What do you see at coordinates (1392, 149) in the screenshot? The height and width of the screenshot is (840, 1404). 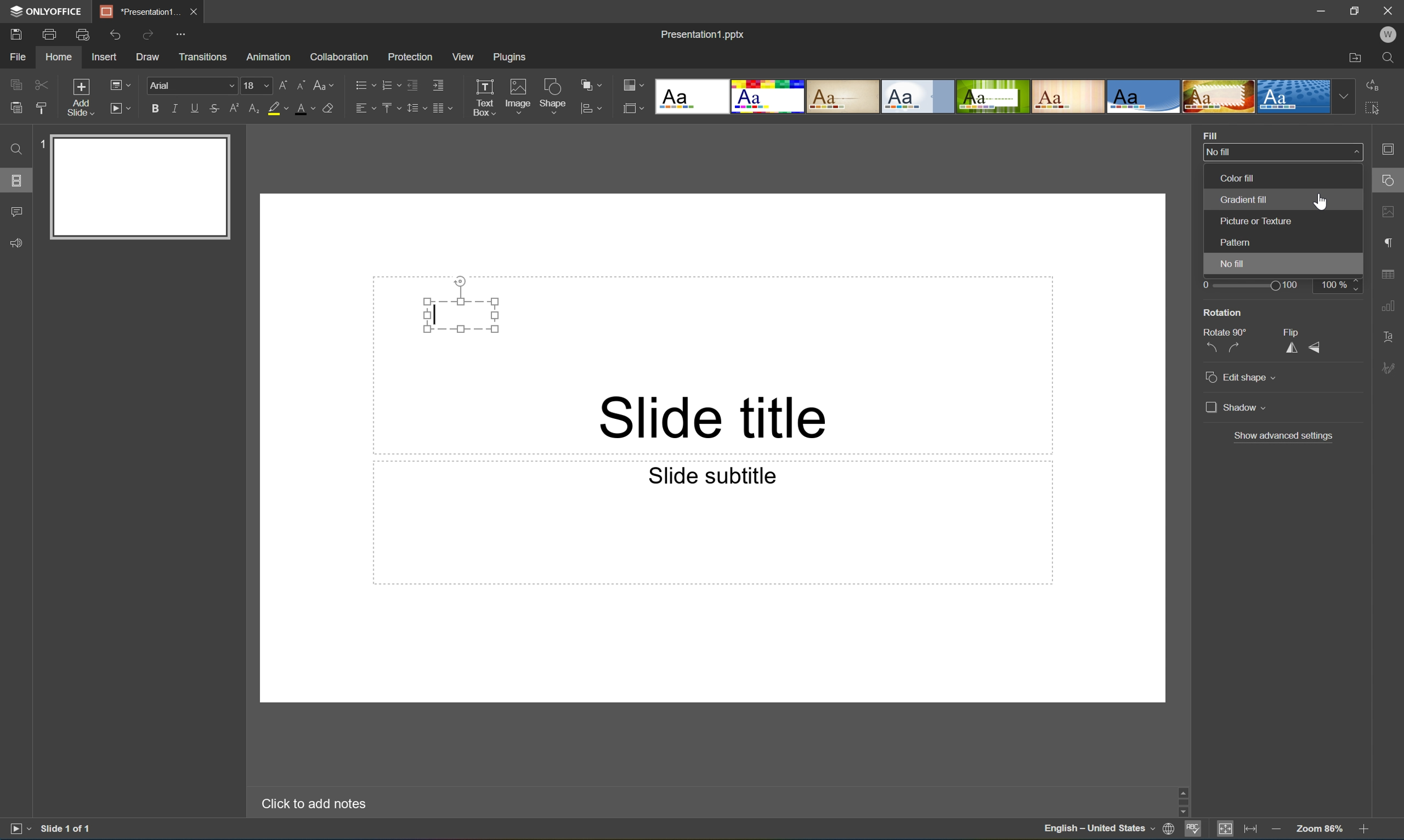 I see `Slide settings` at bounding box center [1392, 149].